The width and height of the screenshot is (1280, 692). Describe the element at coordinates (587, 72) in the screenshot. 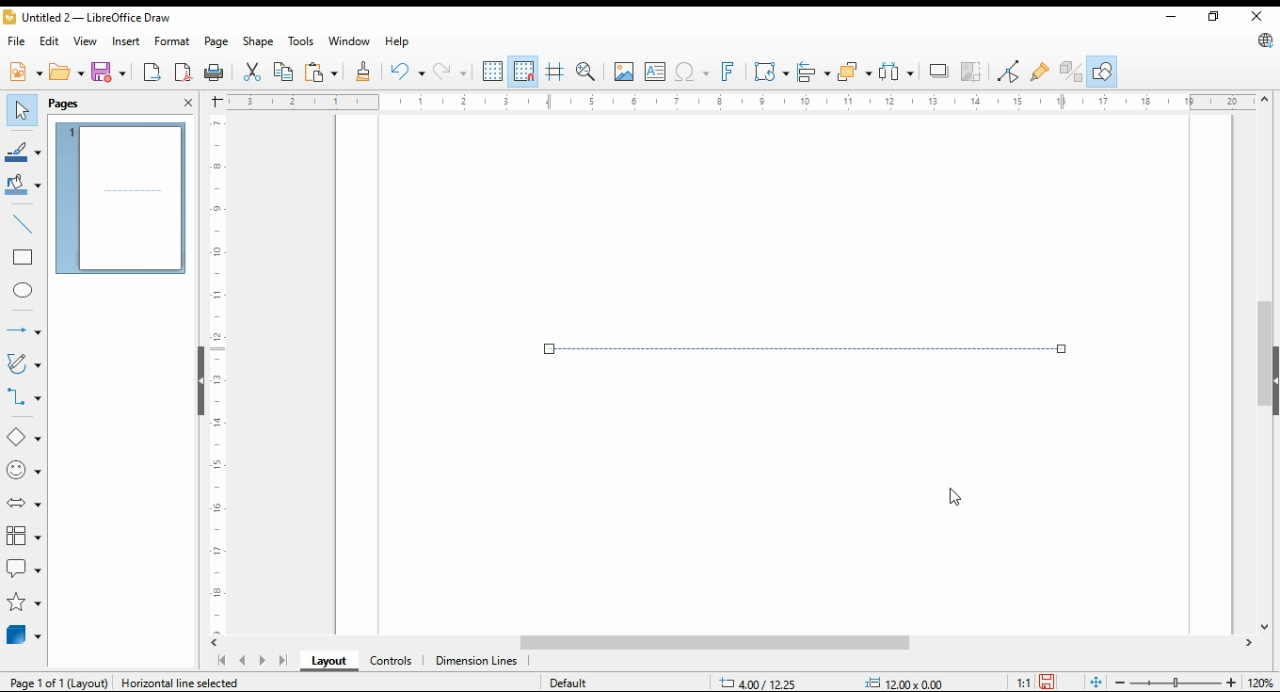

I see `pan and zoom` at that location.